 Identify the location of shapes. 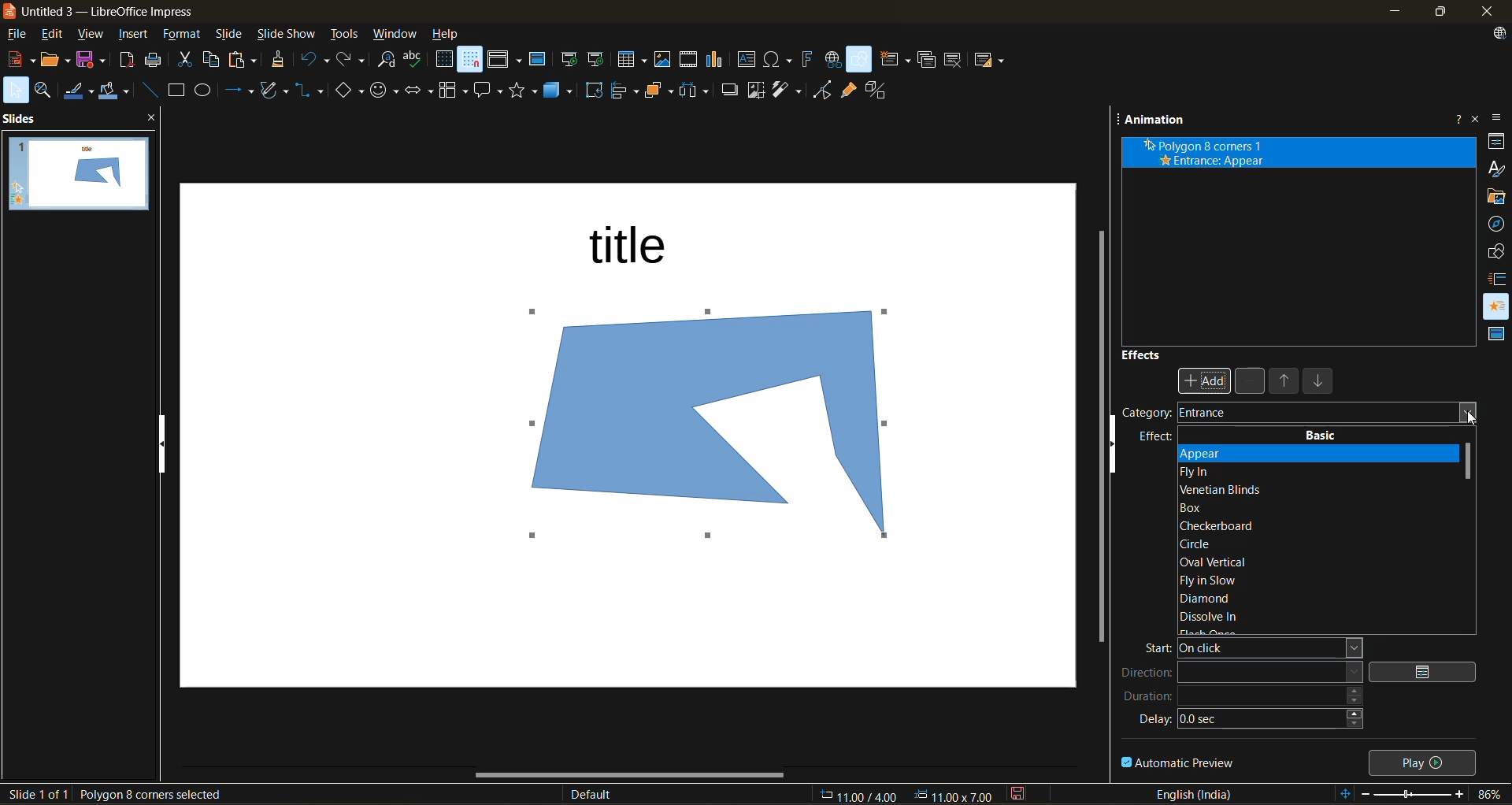
(1494, 249).